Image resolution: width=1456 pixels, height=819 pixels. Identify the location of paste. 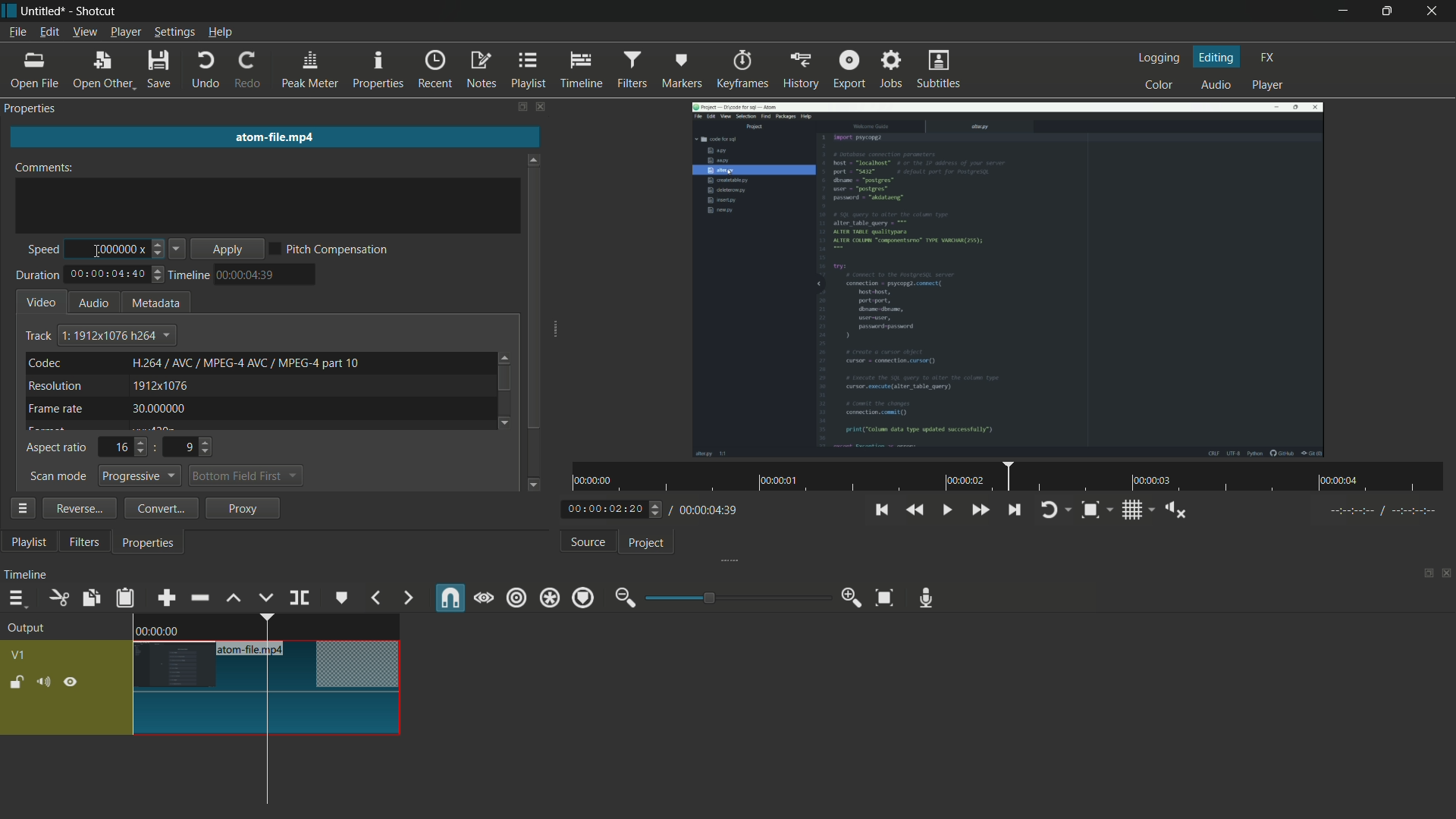
(124, 598).